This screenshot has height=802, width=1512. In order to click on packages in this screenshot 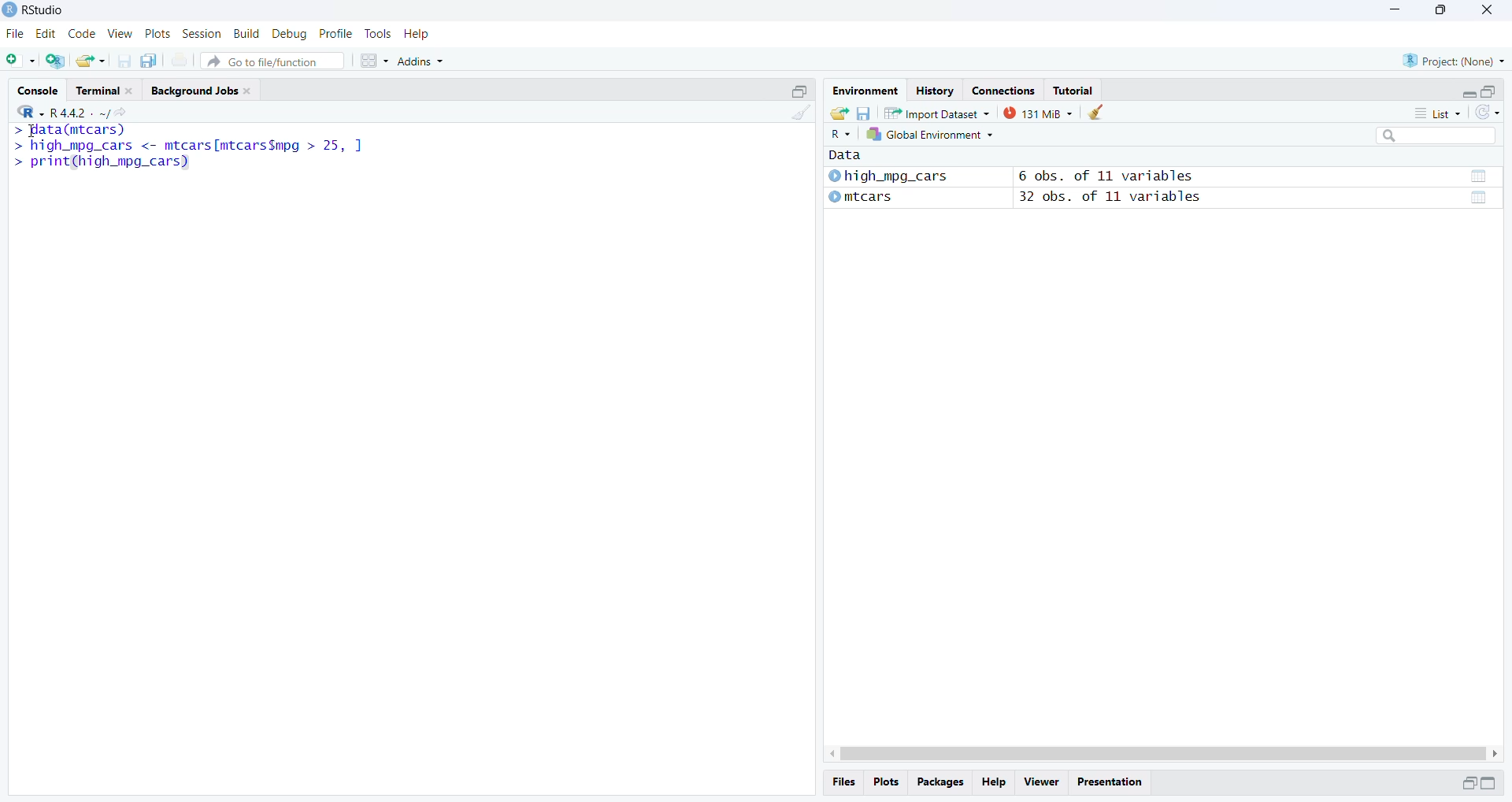, I will do `click(939, 783)`.